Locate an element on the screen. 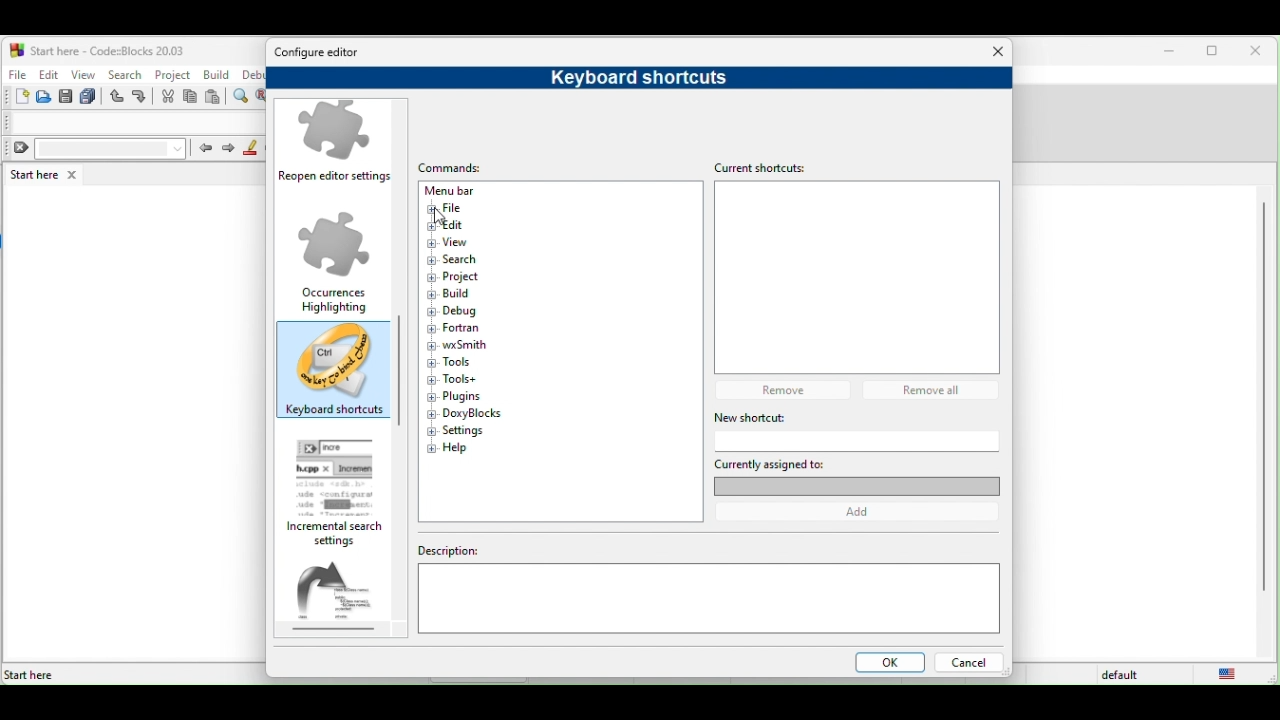 The width and height of the screenshot is (1280, 720). start here-code blocks-20.03 is located at coordinates (97, 49).